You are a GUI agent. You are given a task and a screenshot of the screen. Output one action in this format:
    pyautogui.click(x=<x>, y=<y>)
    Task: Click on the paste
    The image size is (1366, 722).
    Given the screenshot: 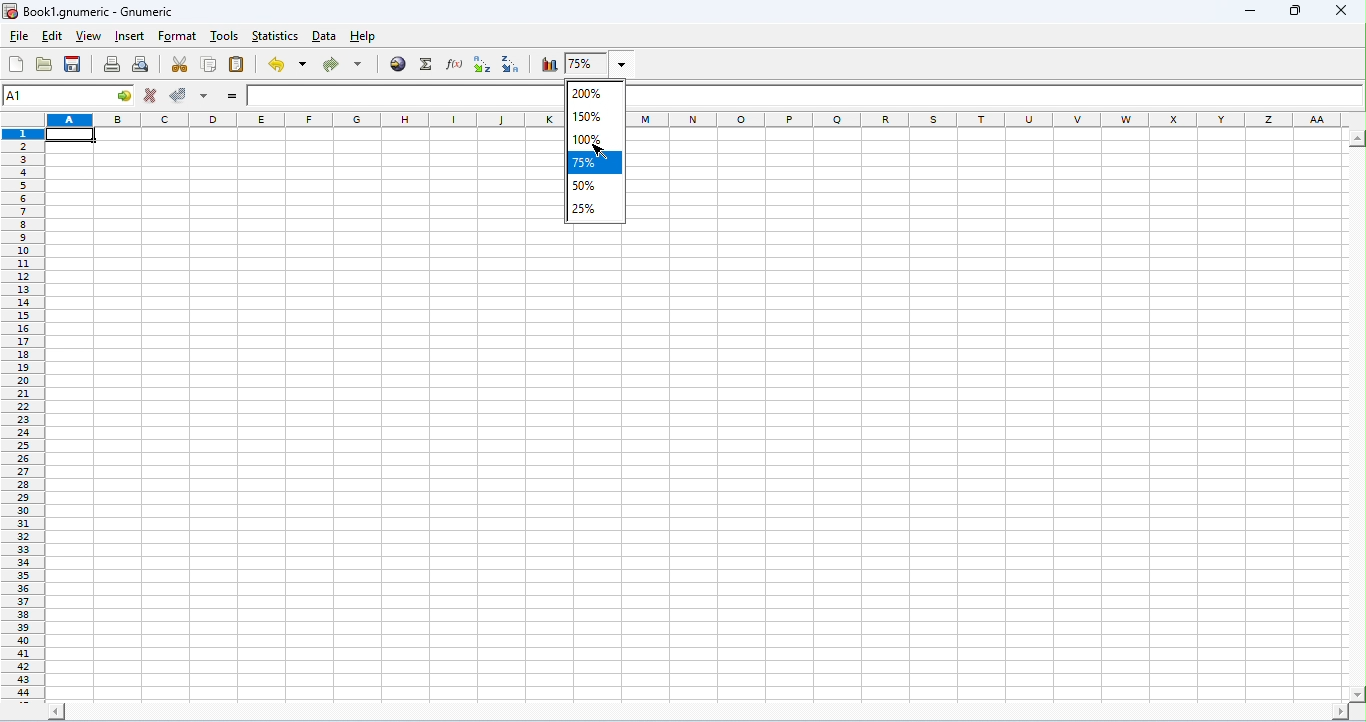 What is the action you would take?
    pyautogui.click(x=238, y=65)
    